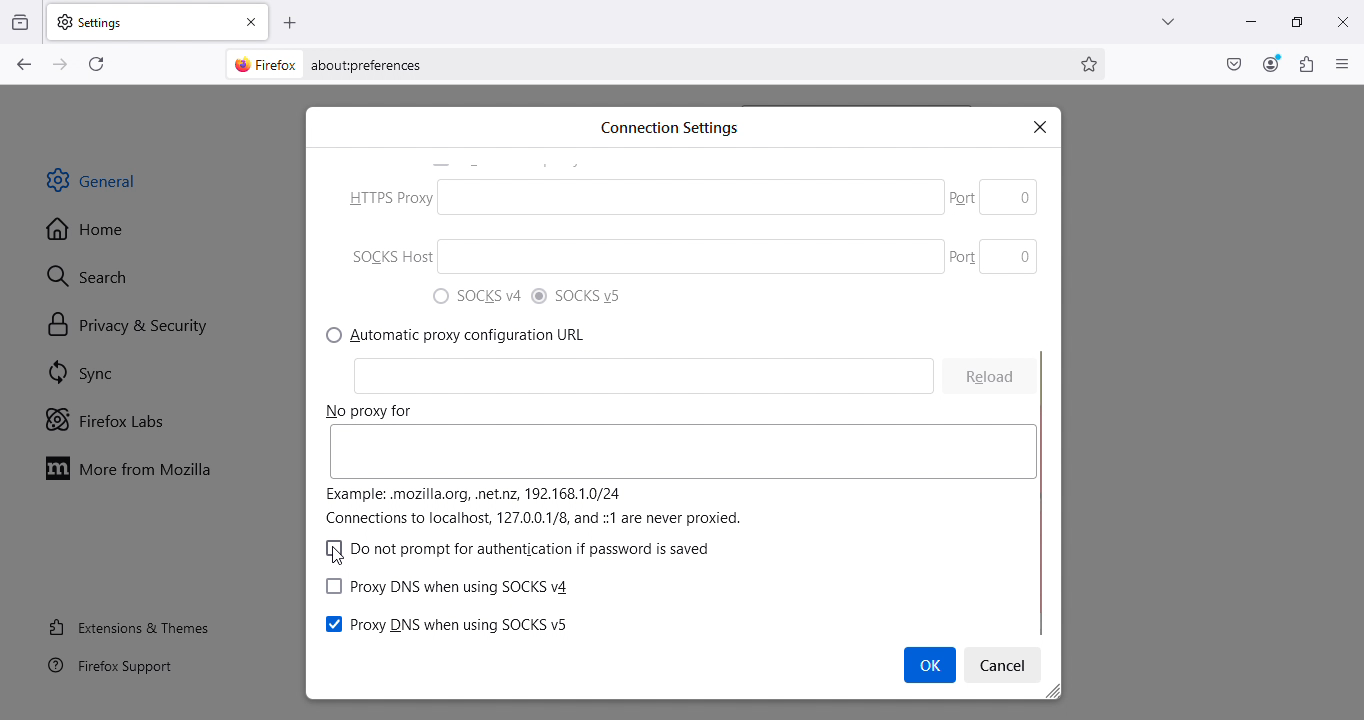 This screenshot has height=720, width=1364. Describe the element at coordinates (99, 62) in the screenshot. I see `Reload current page` at that location.